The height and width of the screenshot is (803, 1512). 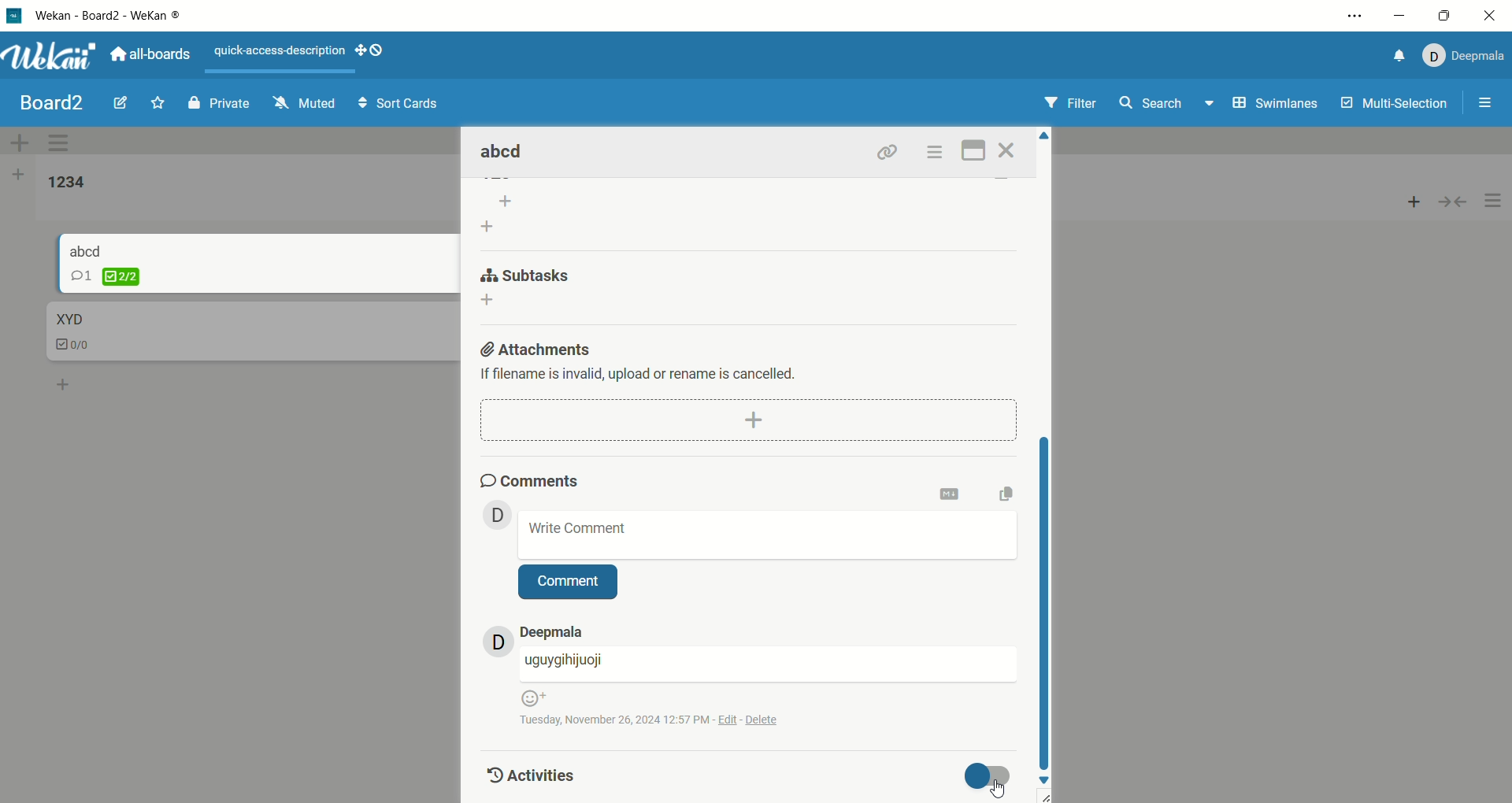 What do you see at coordinates (372, 50) in the screenshot?
I see `show-desktop-drag-handles` at bounding box center [372, 50].